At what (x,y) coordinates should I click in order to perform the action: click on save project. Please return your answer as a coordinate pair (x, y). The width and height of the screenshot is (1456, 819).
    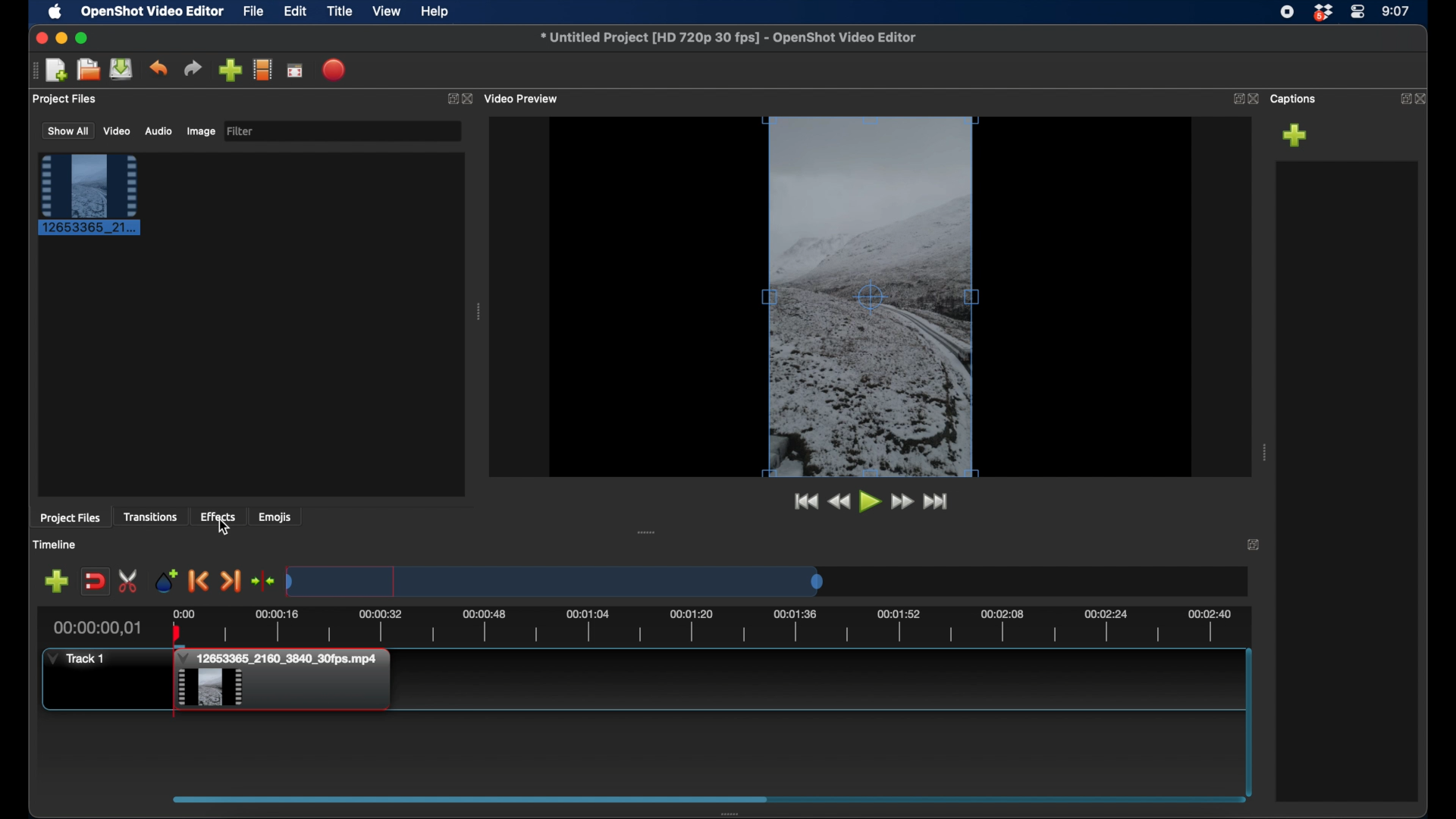
    Looking at the image, I should click on (122, 70).